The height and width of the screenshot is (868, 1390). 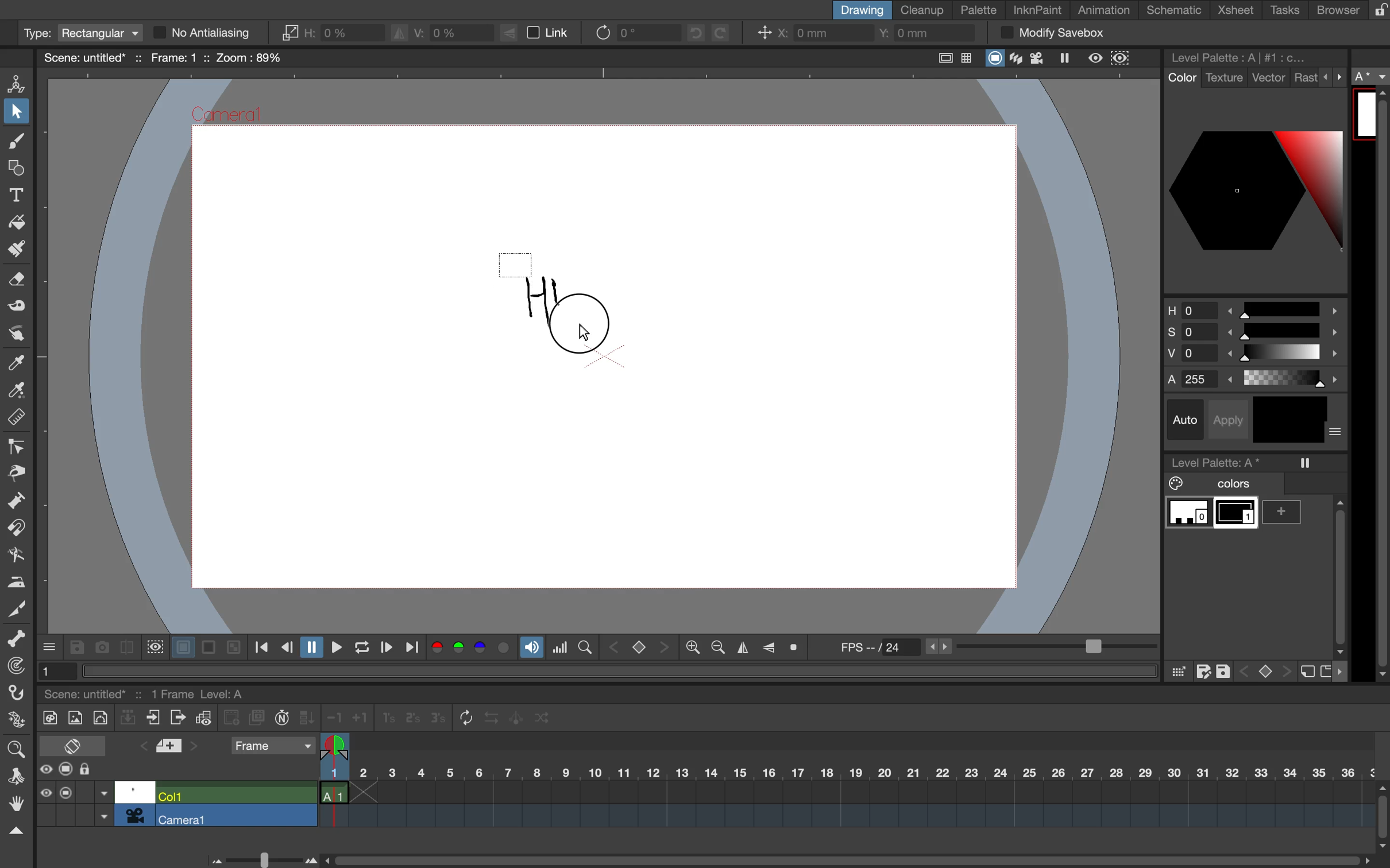 I want to click on inknpaint, so click(x=1037, y=9).